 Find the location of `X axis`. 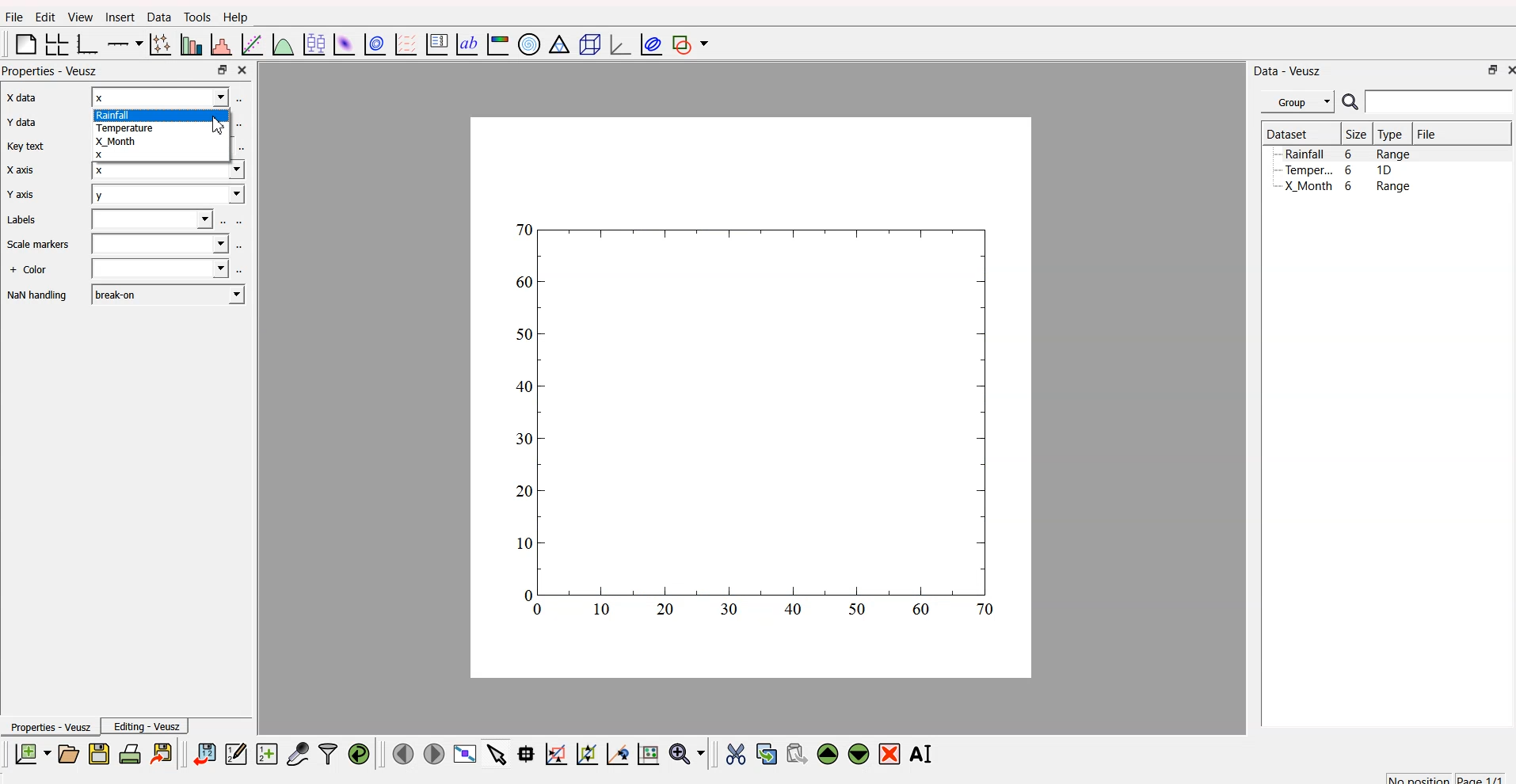

X axis is located at coordinates (22, 170).